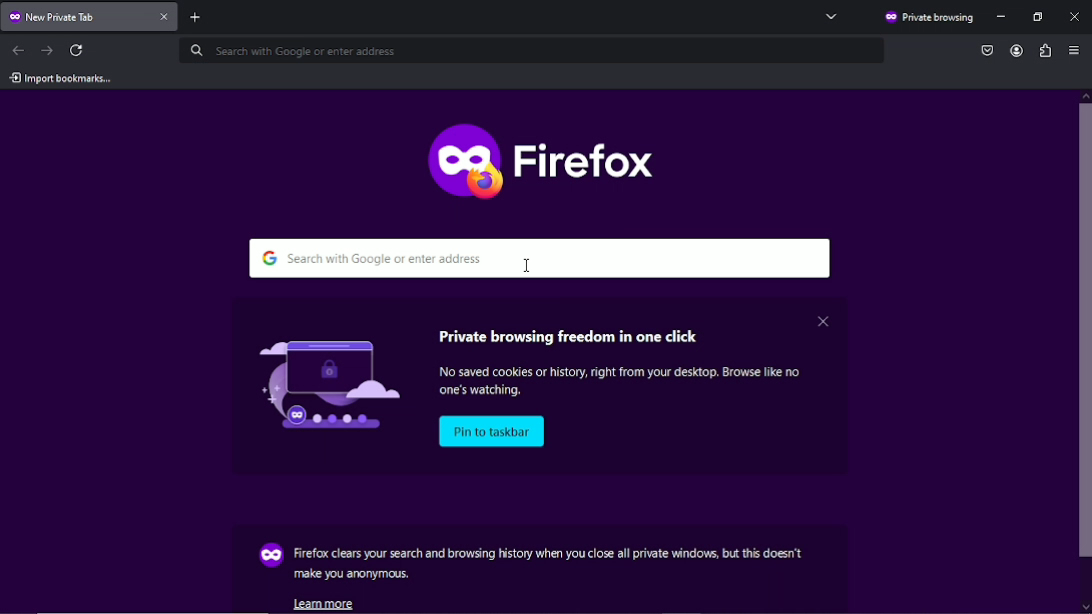 This screenshot has height=614, width=1092. I want to click on restore down, so click(1039, 17).